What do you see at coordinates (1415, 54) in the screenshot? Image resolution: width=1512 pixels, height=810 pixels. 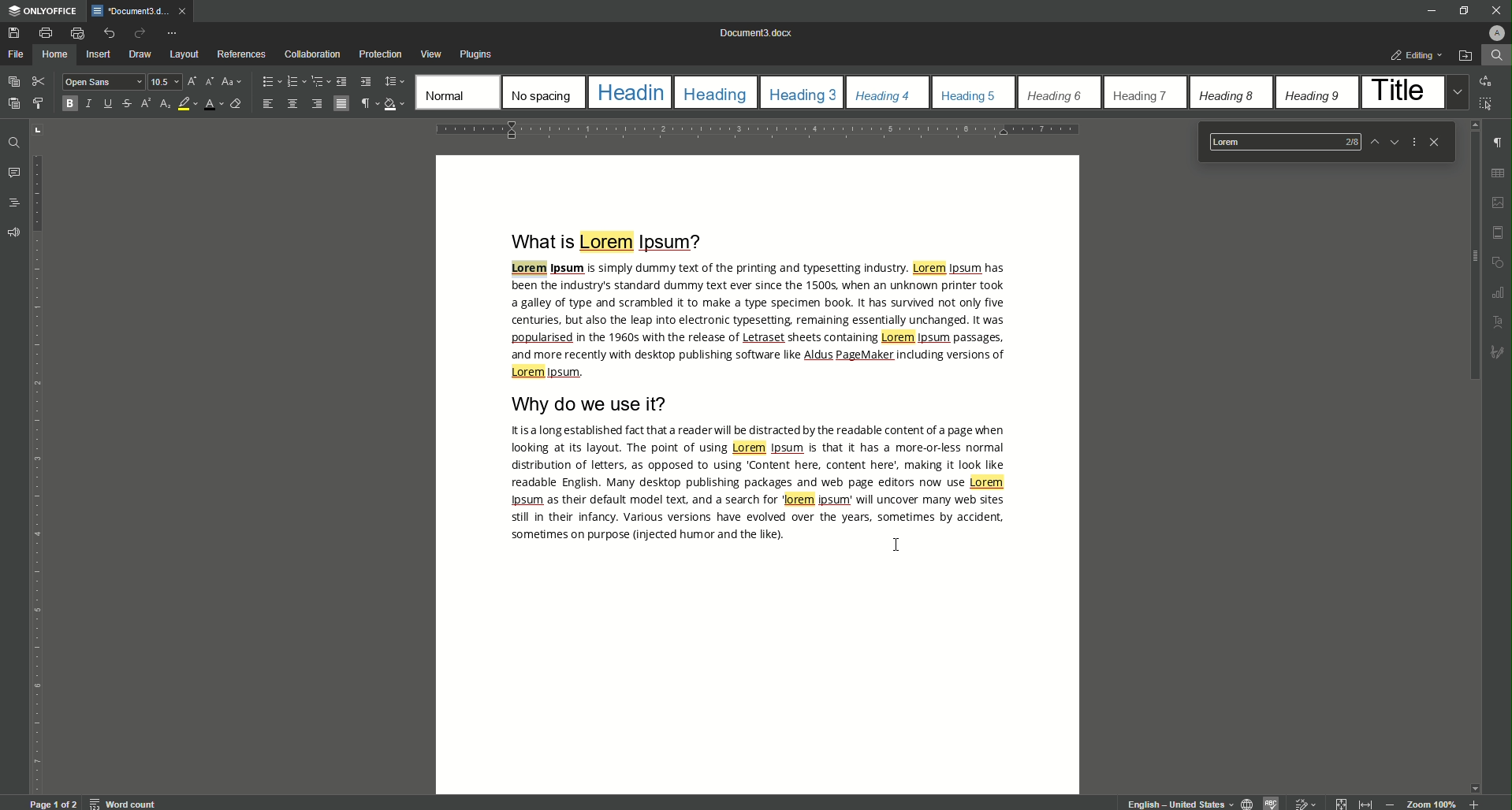 I see `Editing` at bounding box center [1415, 54].